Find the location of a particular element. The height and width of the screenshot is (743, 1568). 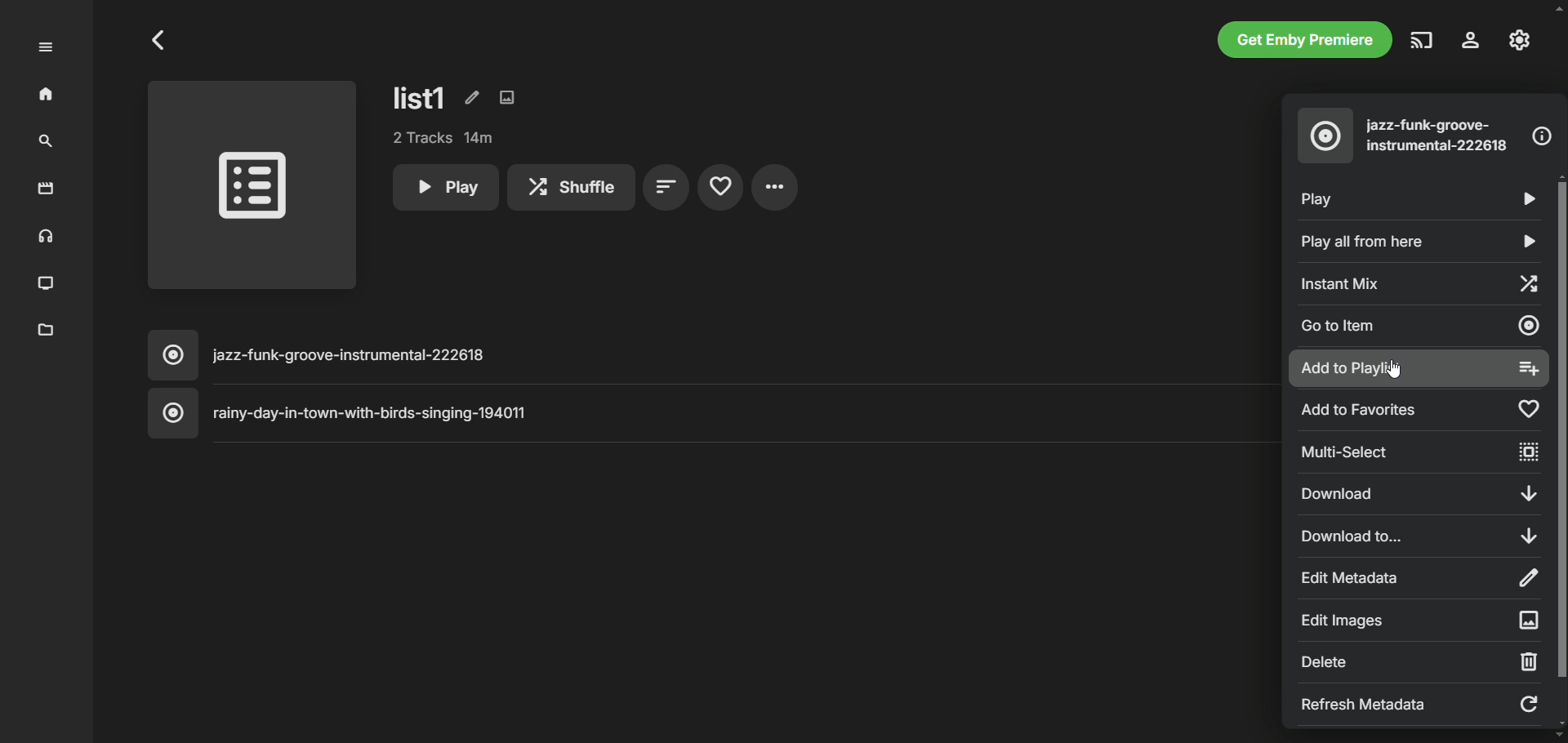

home is located at coordinates (47, 95).